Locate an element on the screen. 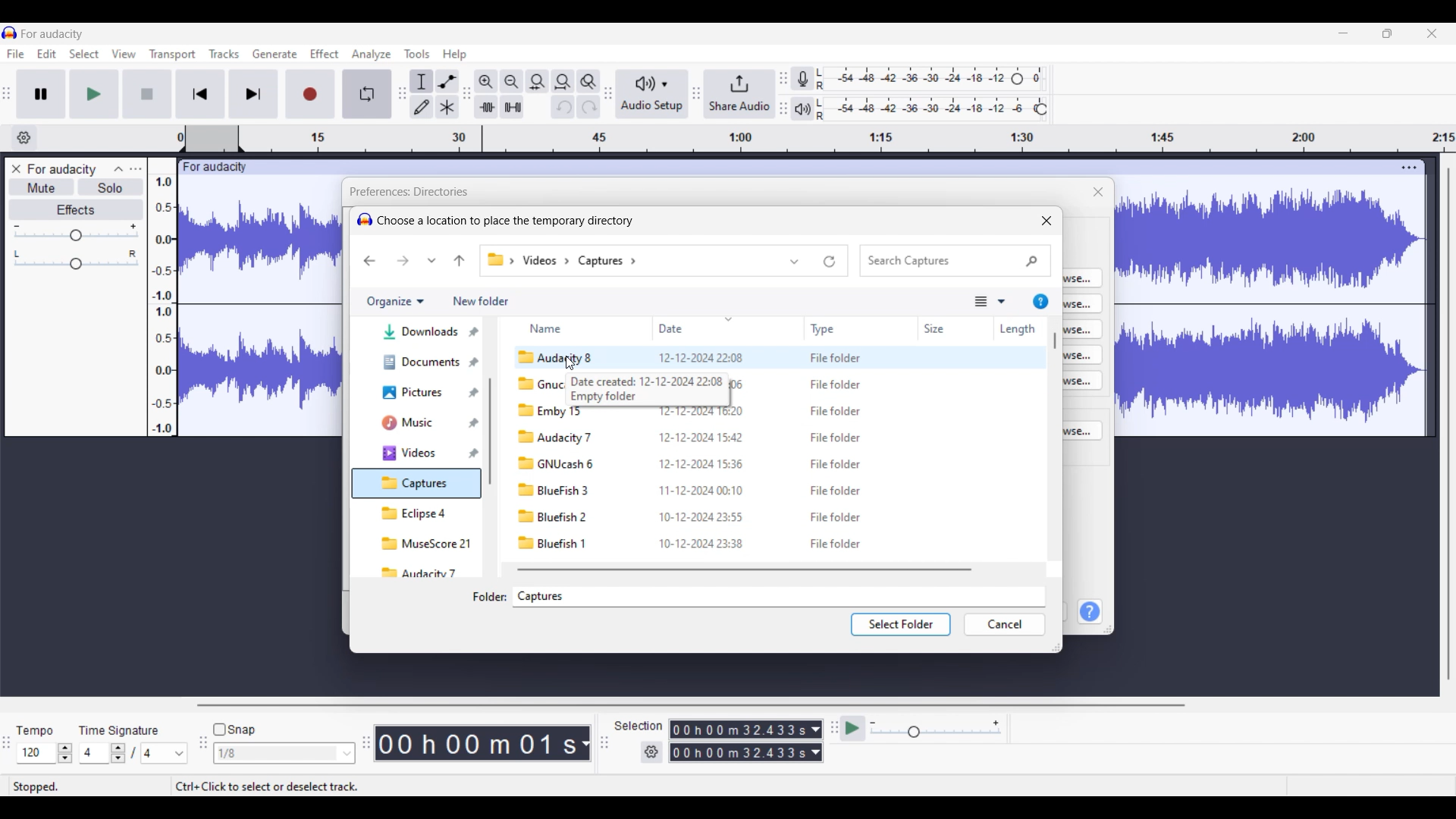 The width and height of the screenshot is (1456, 819). Show in smaller tab is located at coordinates (1388, 33).